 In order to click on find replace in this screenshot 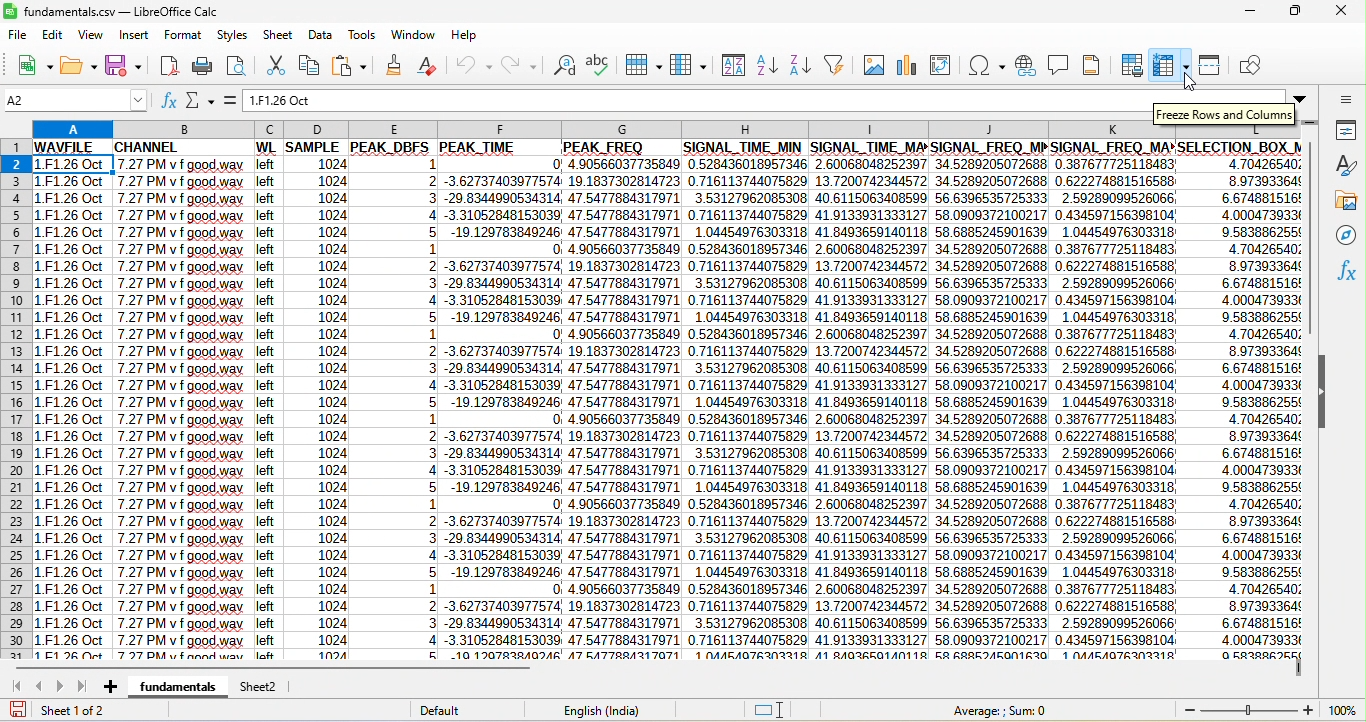, I will do `click(566, 65)`.